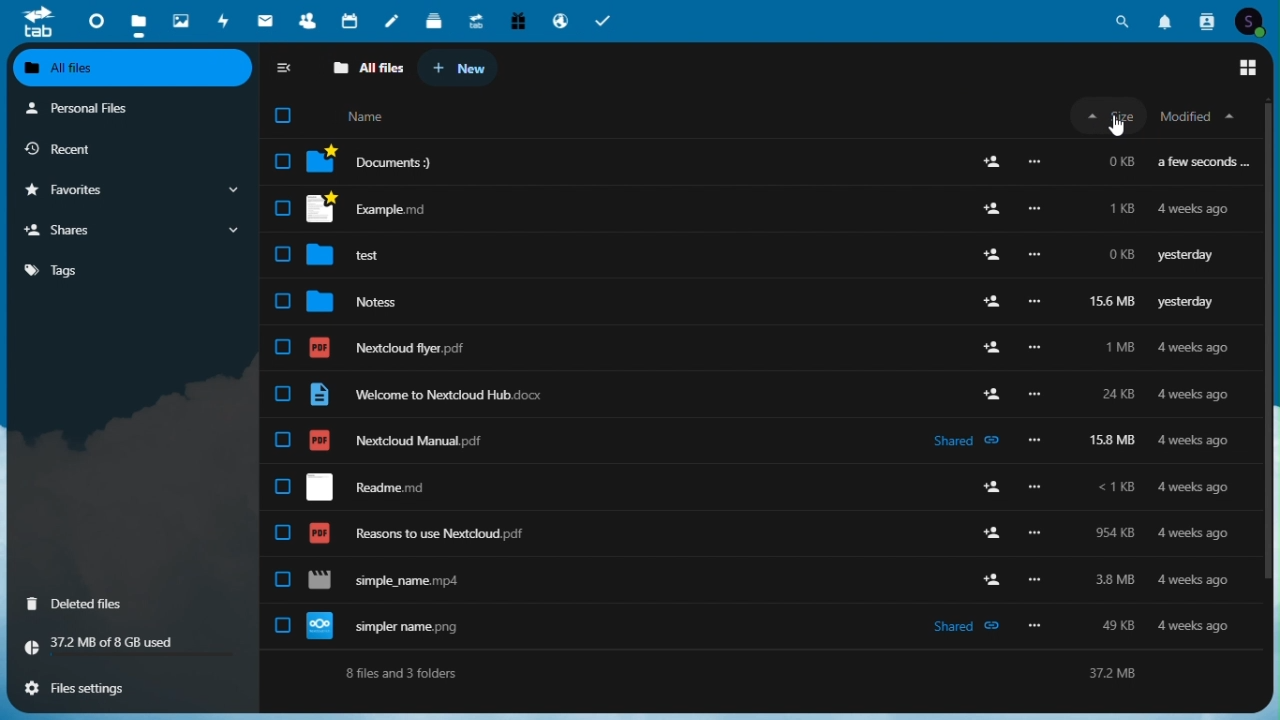 The height and width of the screenshot is (720, 1280). I want to click on Contacts, so click(307, 19).